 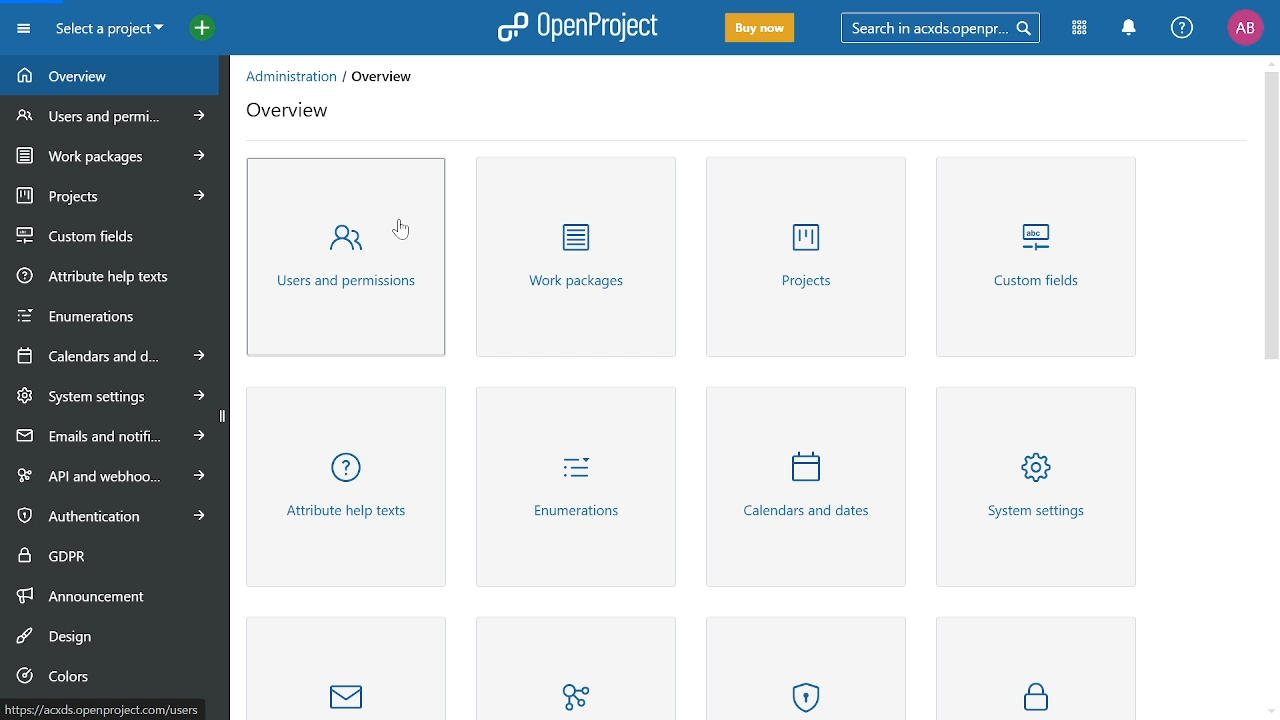 I want to click on System settings, so click(x=1040, y=491).